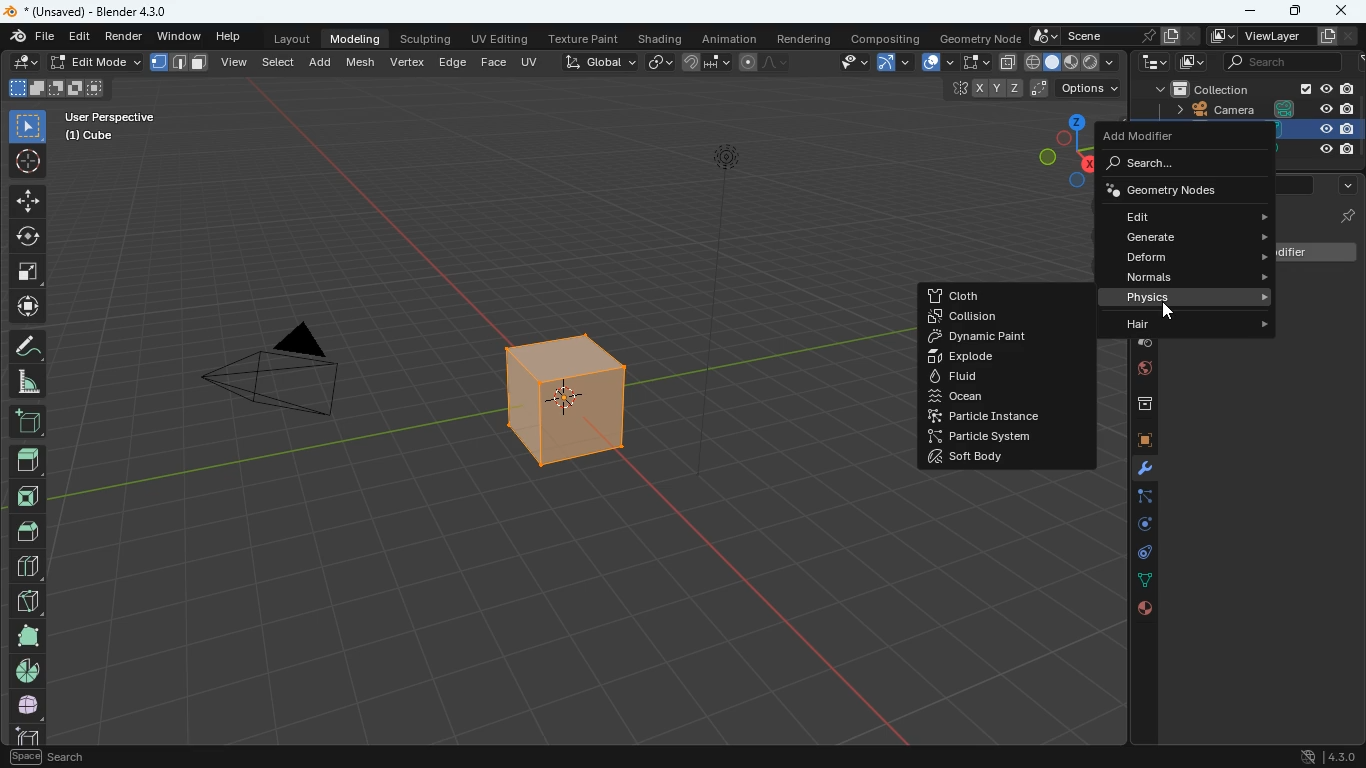 This screenshot has height=768, width=1366. I want to click on cube, so click(560, 406).